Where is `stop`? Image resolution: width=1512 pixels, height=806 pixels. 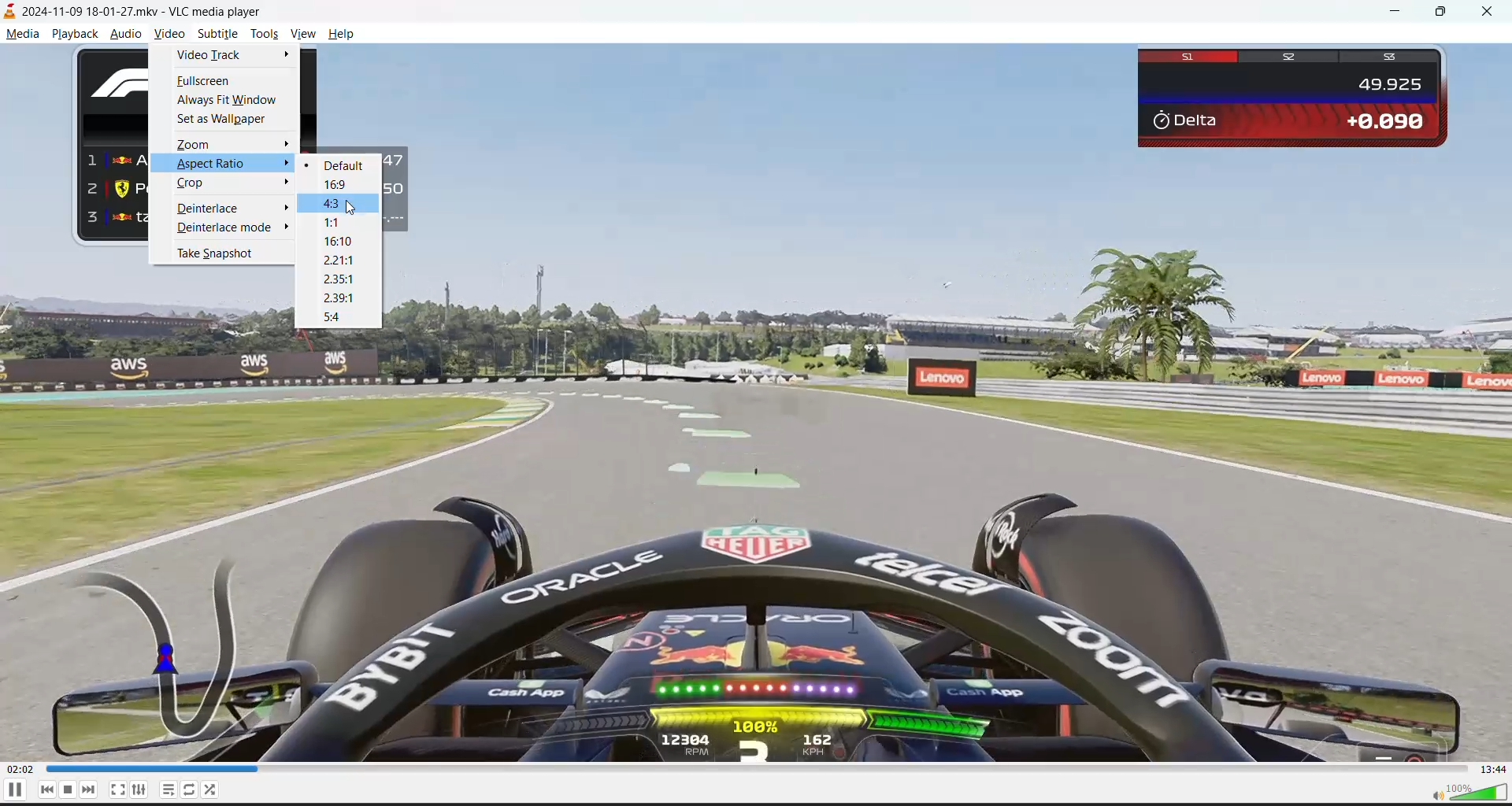 stop is located at coordinates (72, 789).